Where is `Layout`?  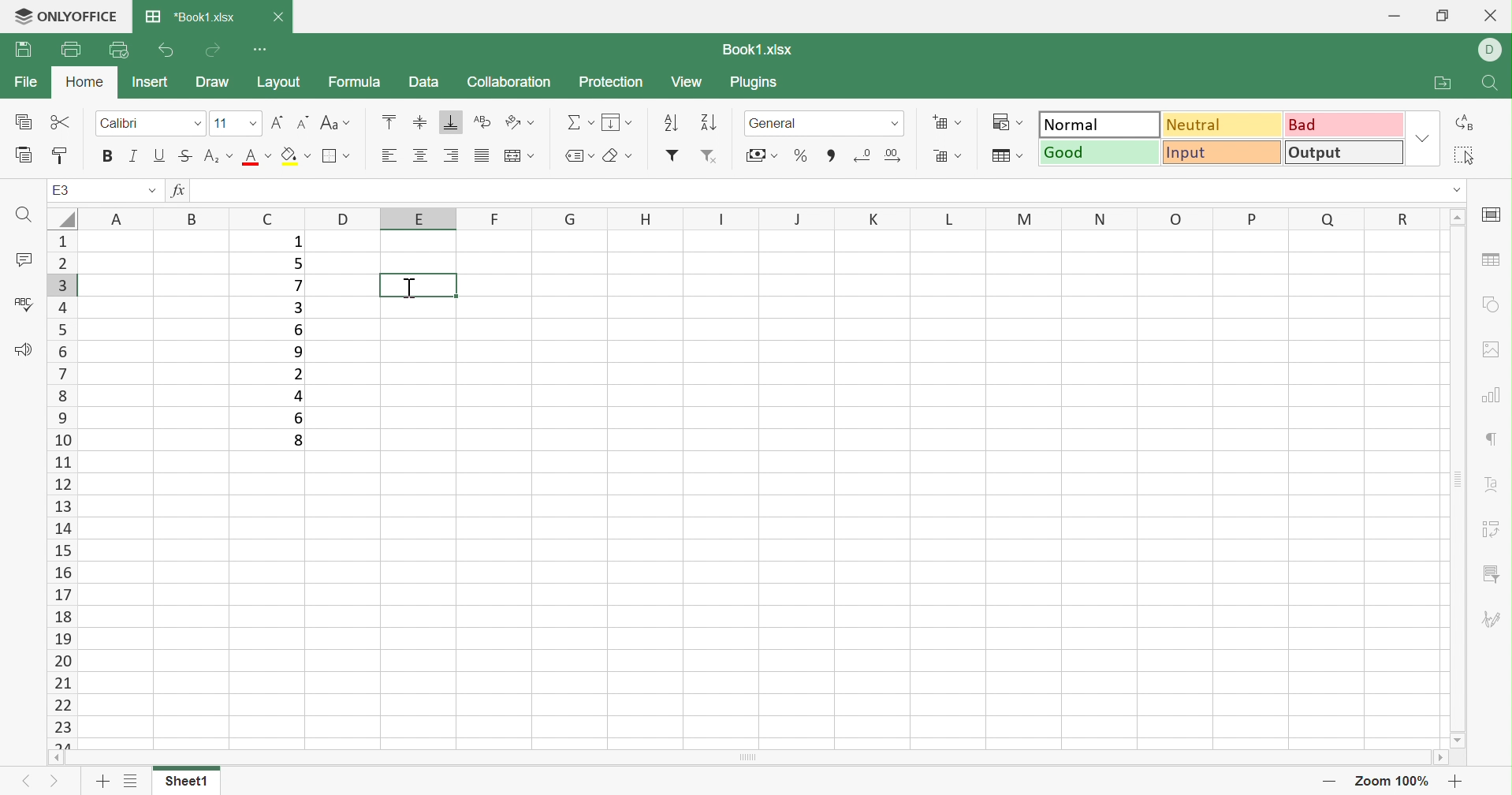
Layout is located at coordinates (279, 84).